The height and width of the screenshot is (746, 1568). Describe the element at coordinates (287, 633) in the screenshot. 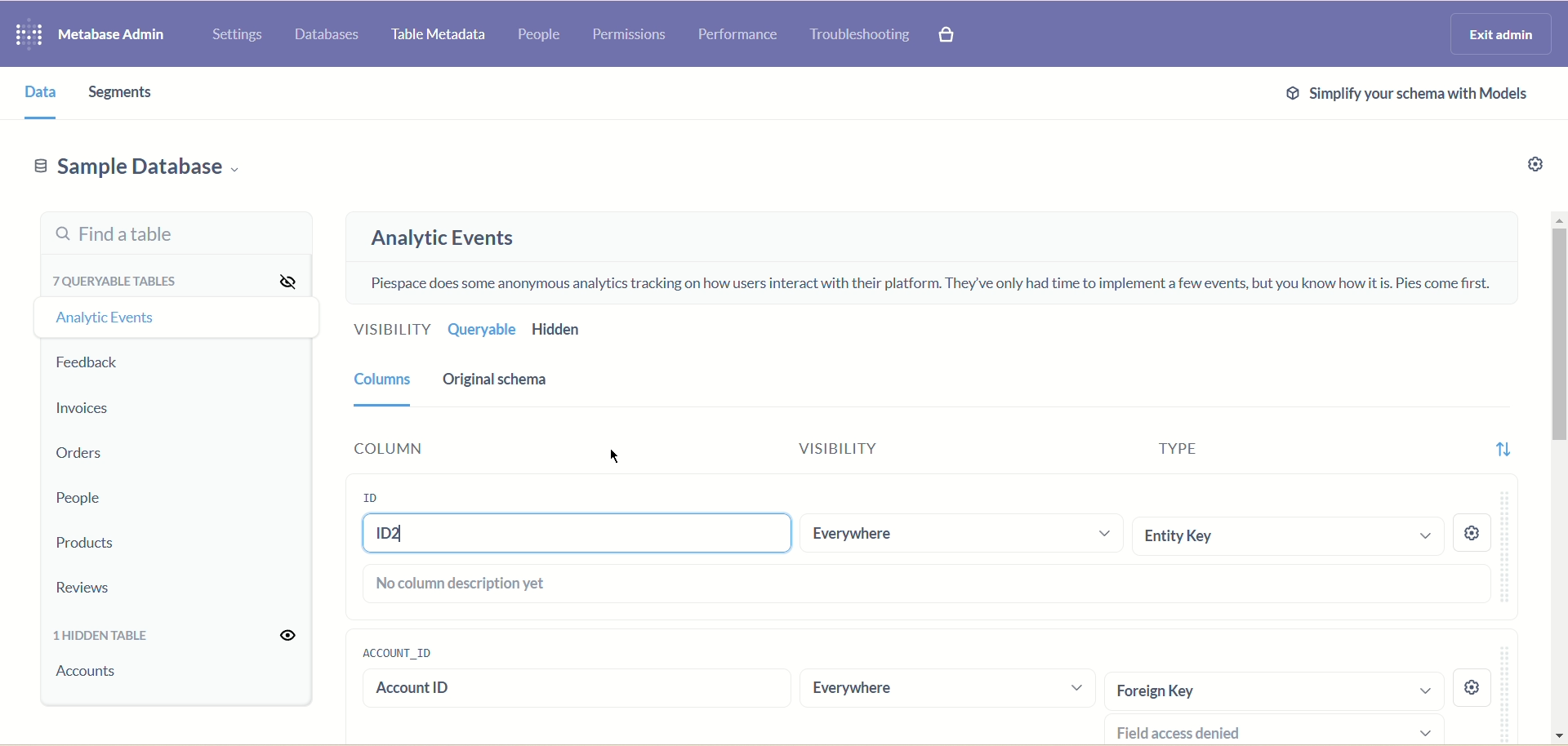

I see `Unhide all` at that location.